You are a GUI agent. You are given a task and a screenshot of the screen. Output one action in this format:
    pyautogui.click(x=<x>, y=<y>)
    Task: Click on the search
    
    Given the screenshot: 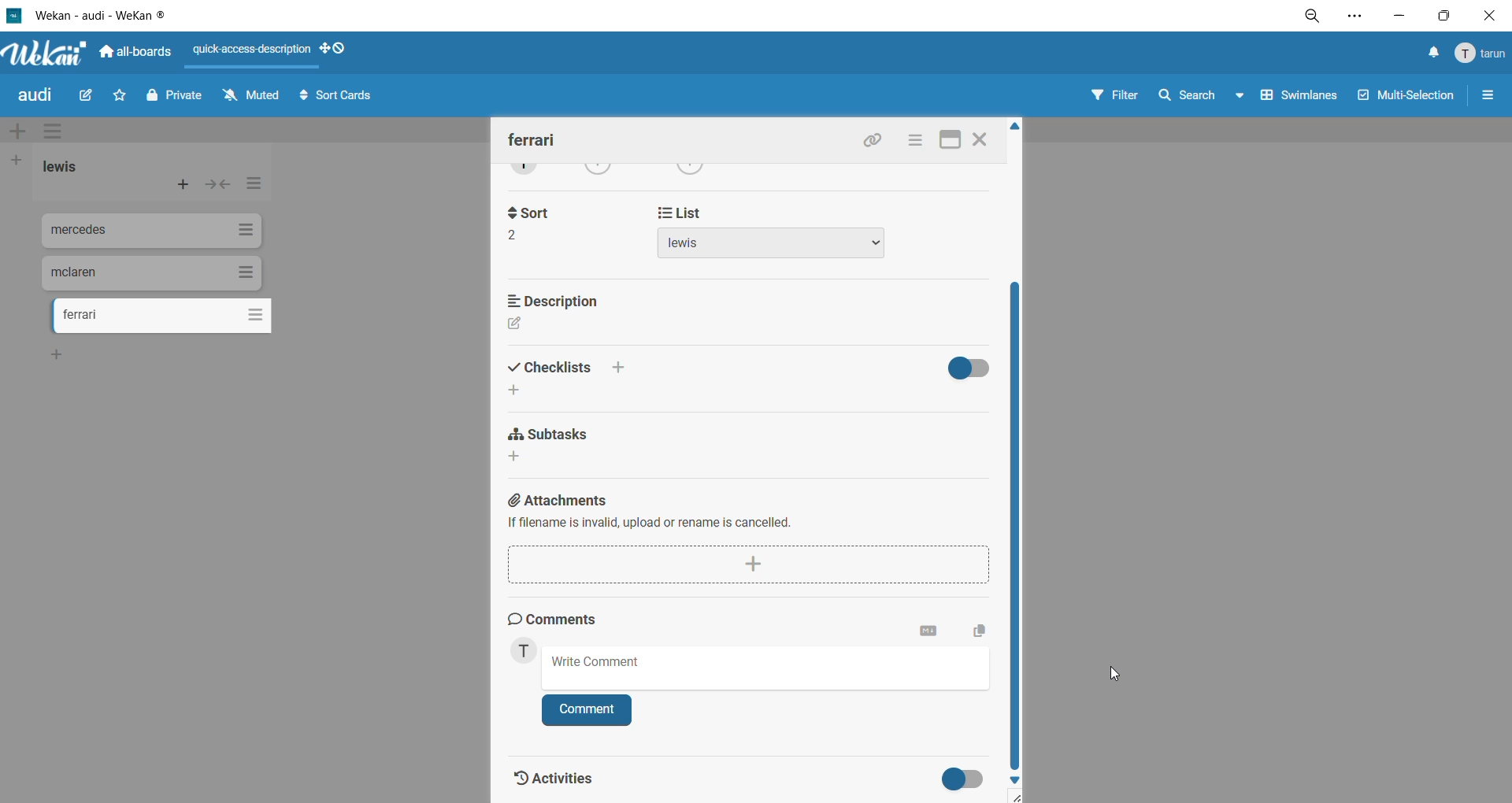 What is the action you would take?
    pyautogui.click(x=1201, y=98)
    